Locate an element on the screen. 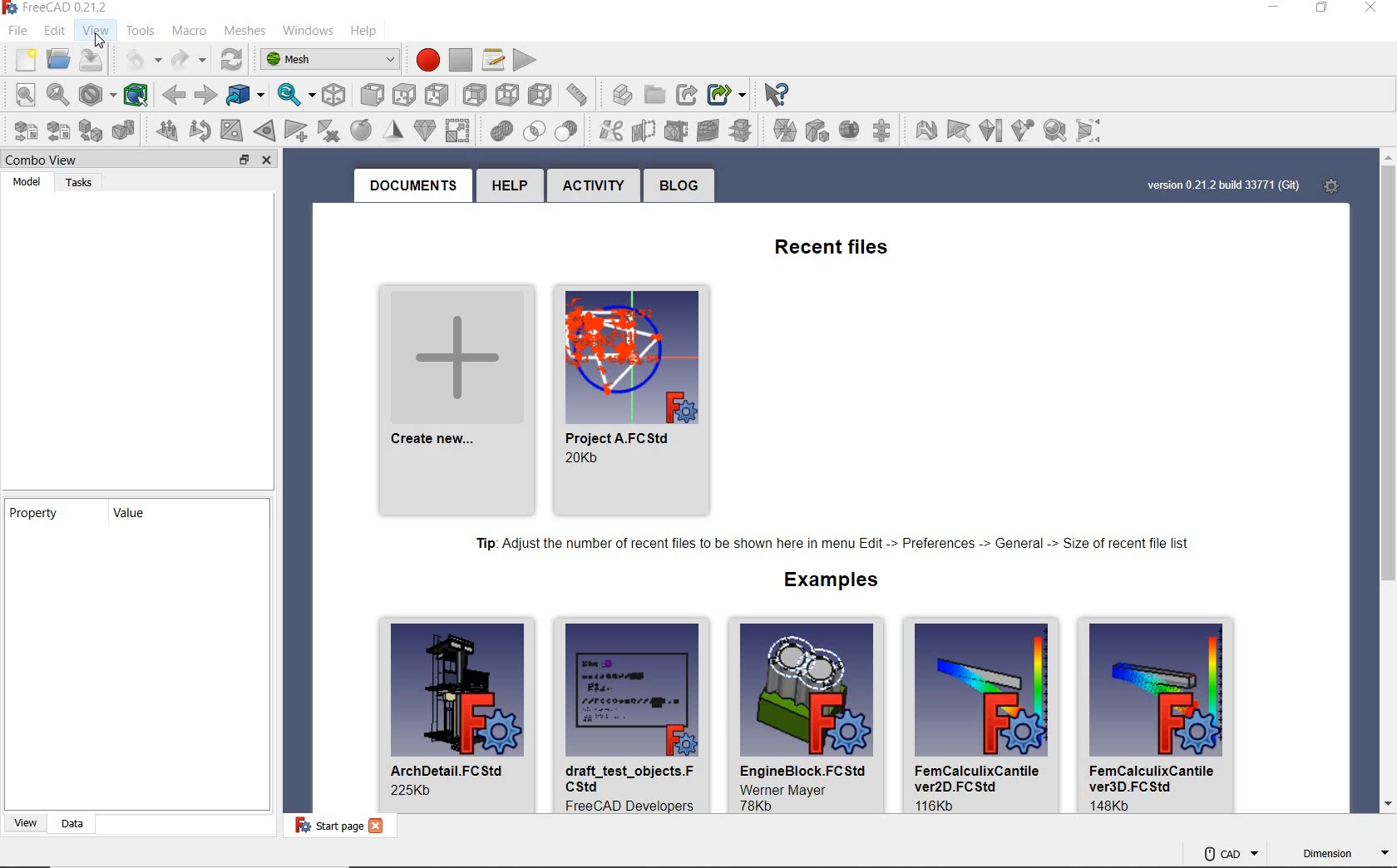 The height and width of the screenshot is (868, 1397). create mesh segments is located at coordinates (816, 131).